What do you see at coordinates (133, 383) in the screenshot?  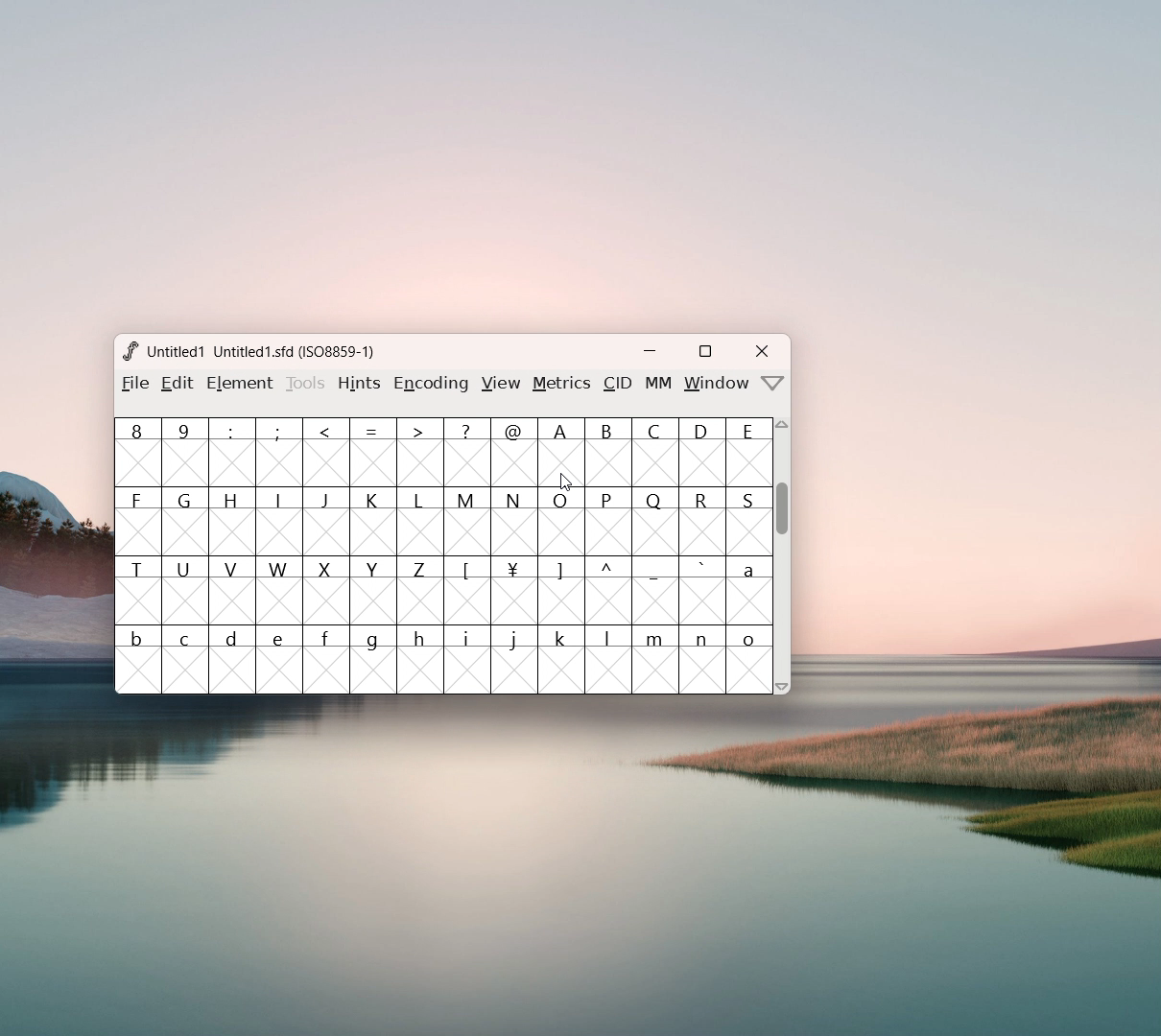 I see `file` at bounding box center [133, 383].